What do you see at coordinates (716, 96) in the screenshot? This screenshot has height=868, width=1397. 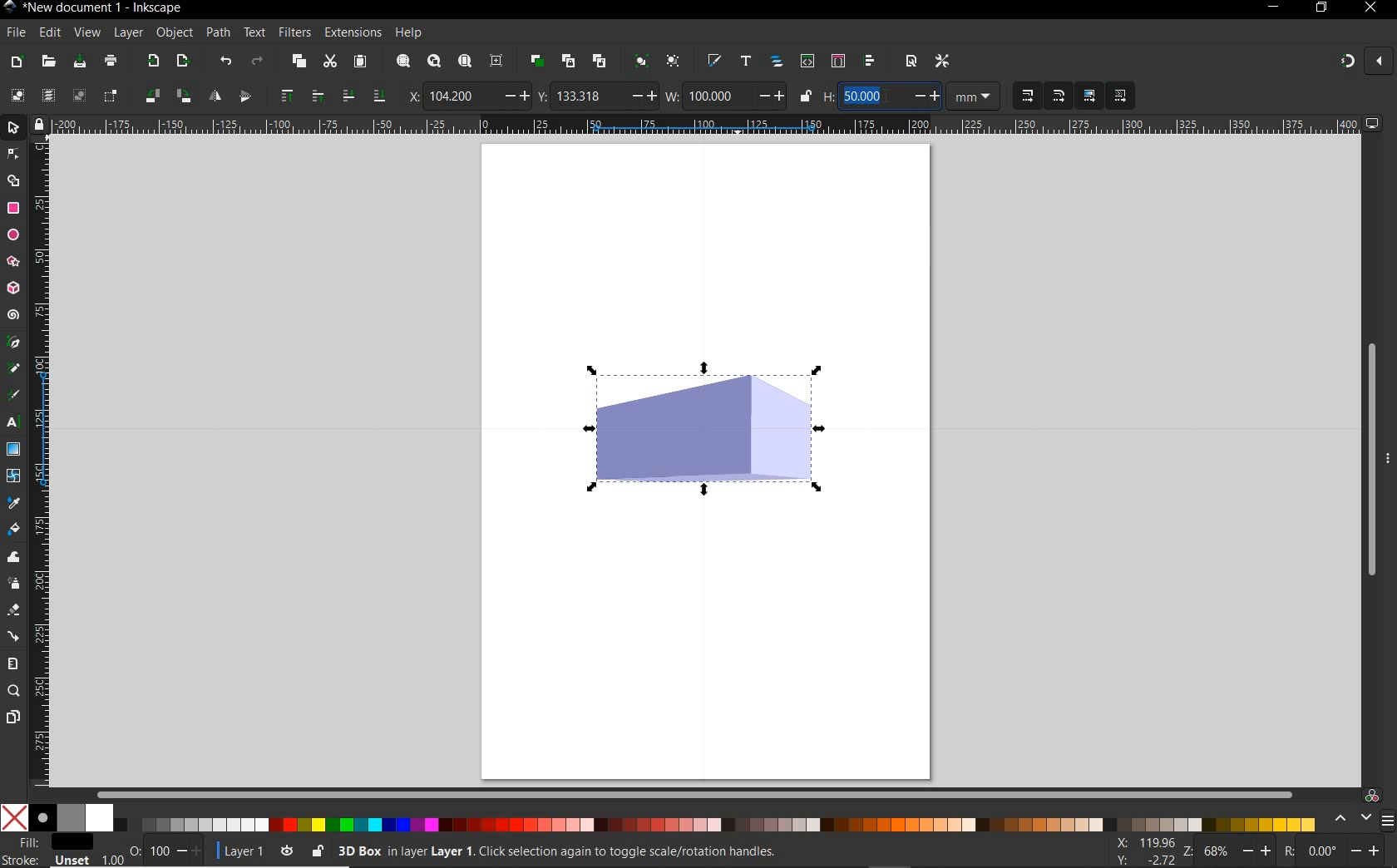 I see `100` at bounding box center [716, 96].